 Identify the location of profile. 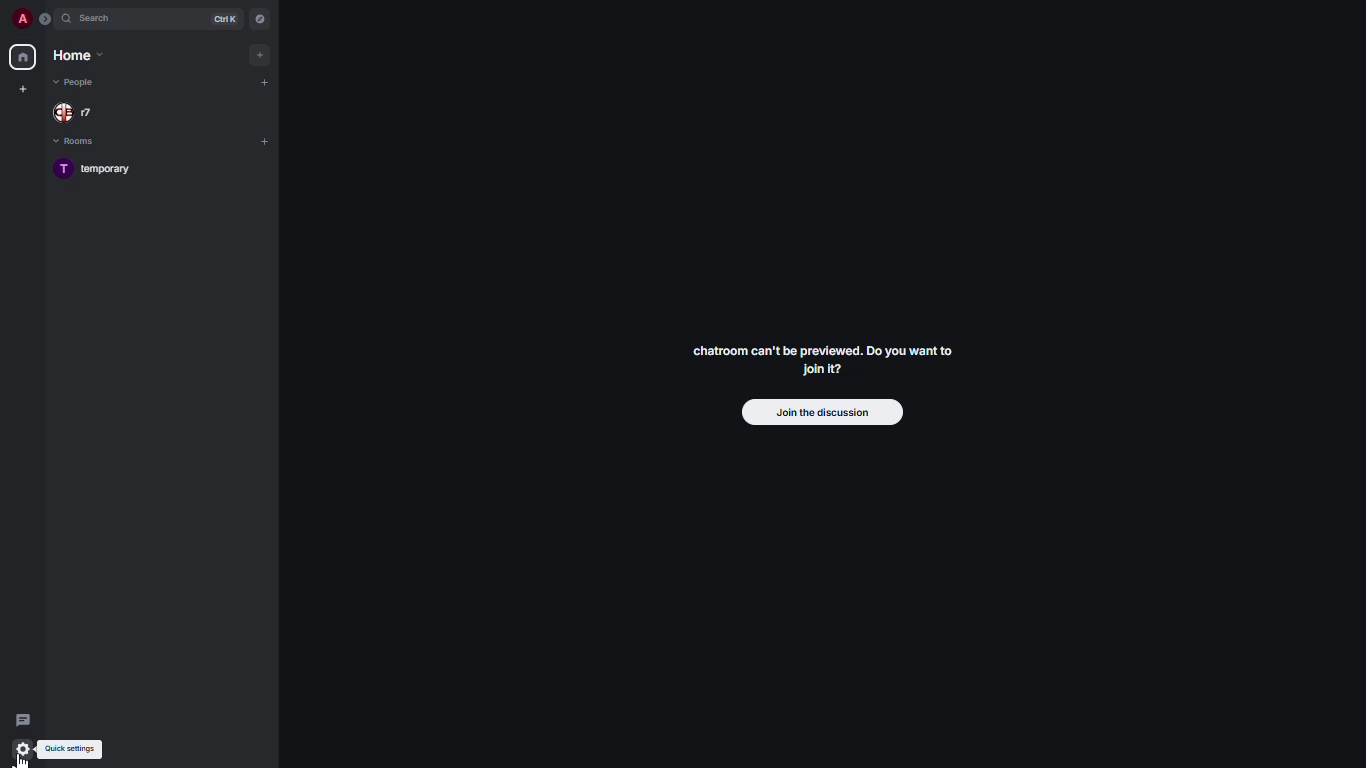
(24, 18).